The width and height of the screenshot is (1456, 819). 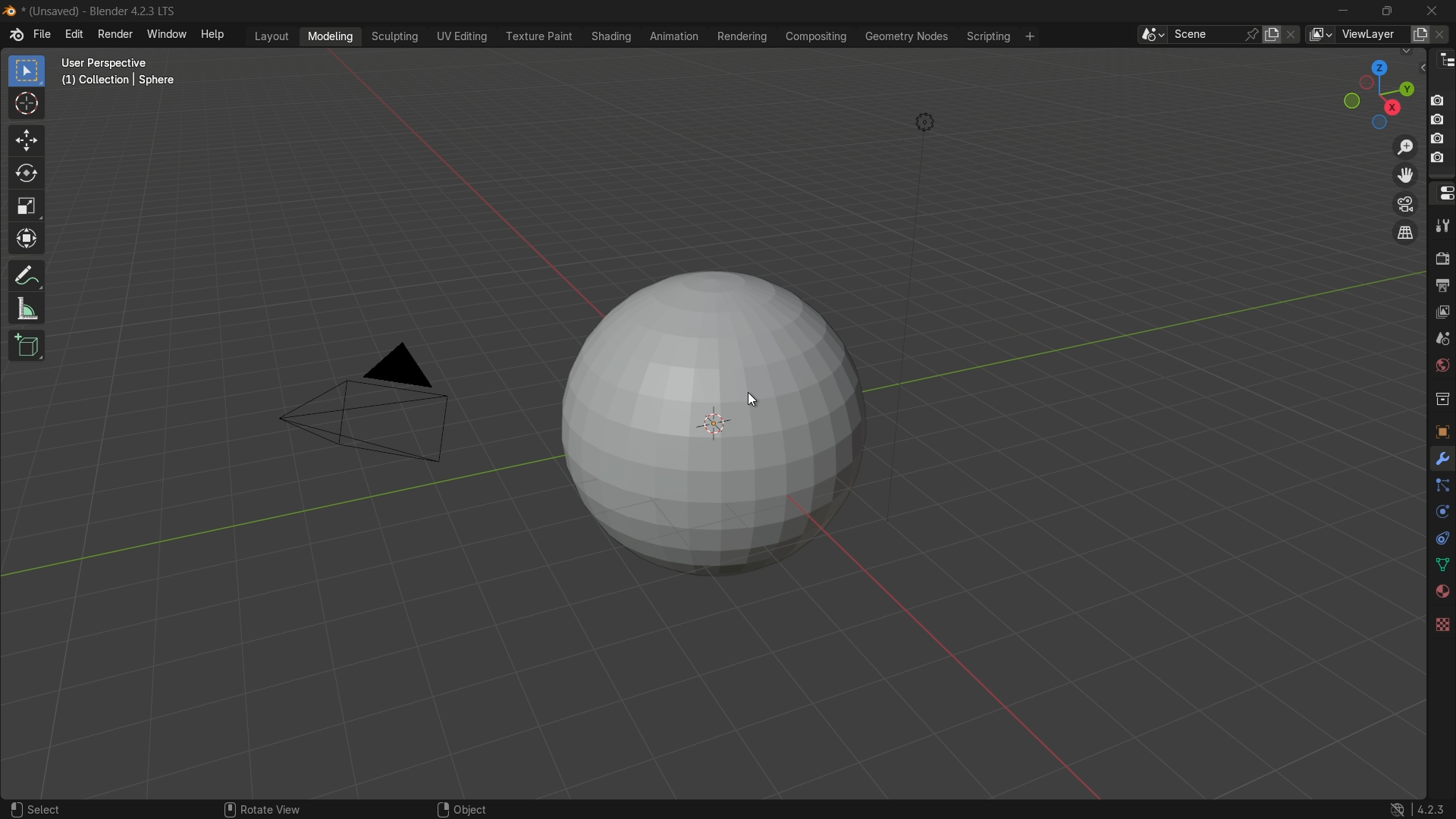 What do you see at coordinates (271, 36) in the screenshot?
I see `layout menu` at bounding box center [271, 36].